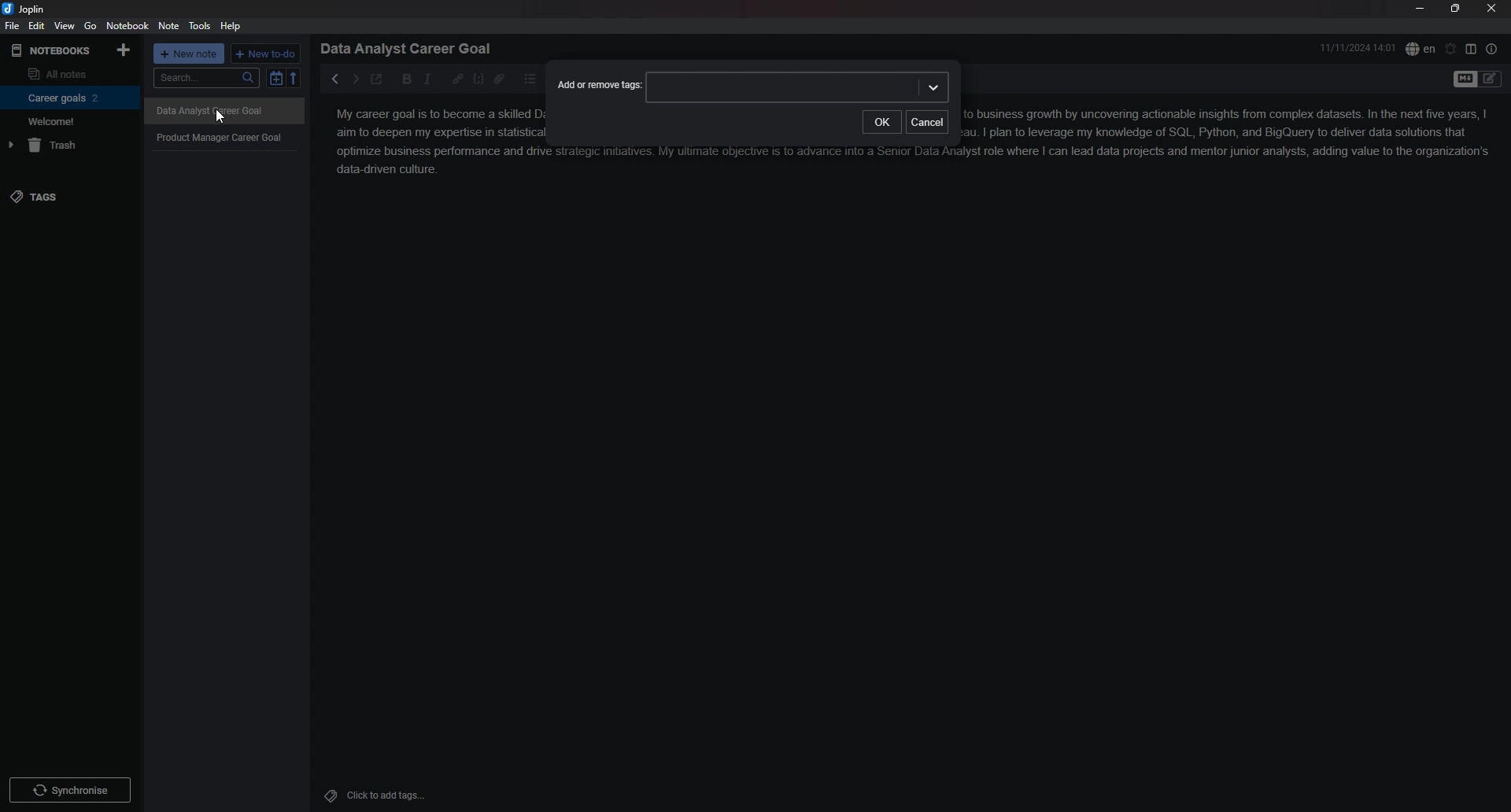 This screenshot has width=1511, height=812. What do you see at coordinates (1492, 49) in the screenshot?
I see `note properties` at bounding box center [1492, 49].